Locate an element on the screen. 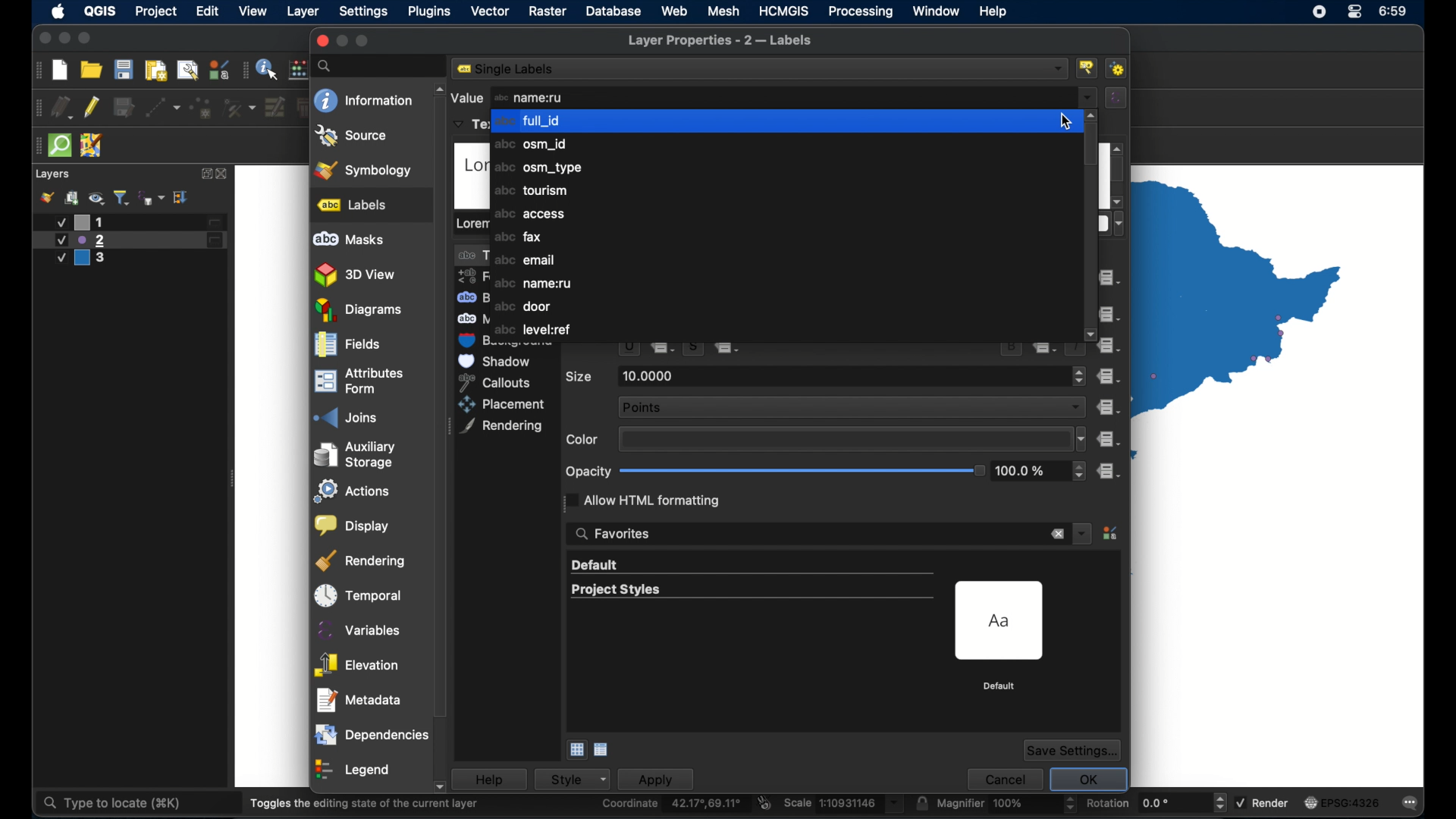 This screenshot has height=819, width=1456. toggle editing is located at coordinates (91, 108).